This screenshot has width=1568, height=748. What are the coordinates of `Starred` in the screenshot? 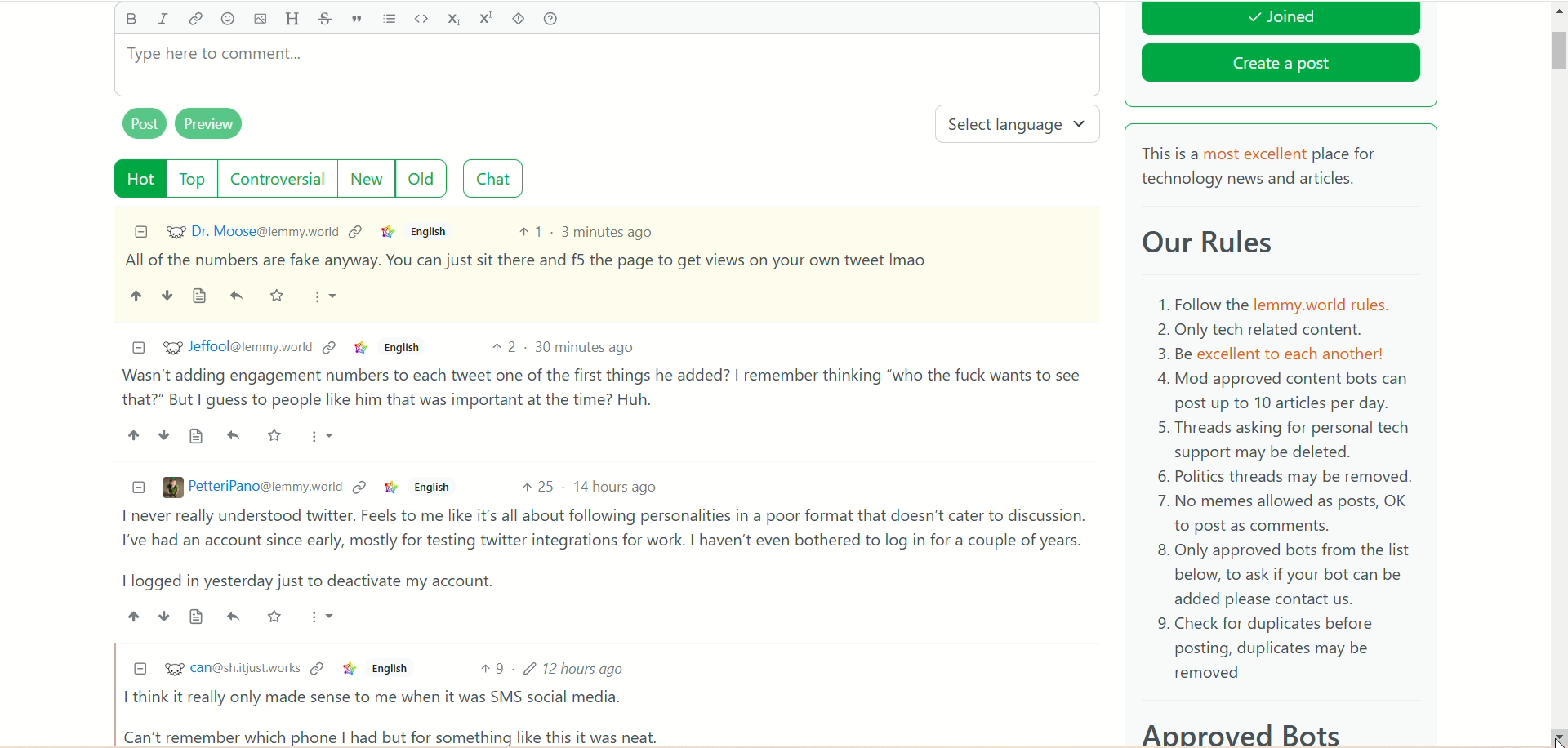 It's located at (276, 434).